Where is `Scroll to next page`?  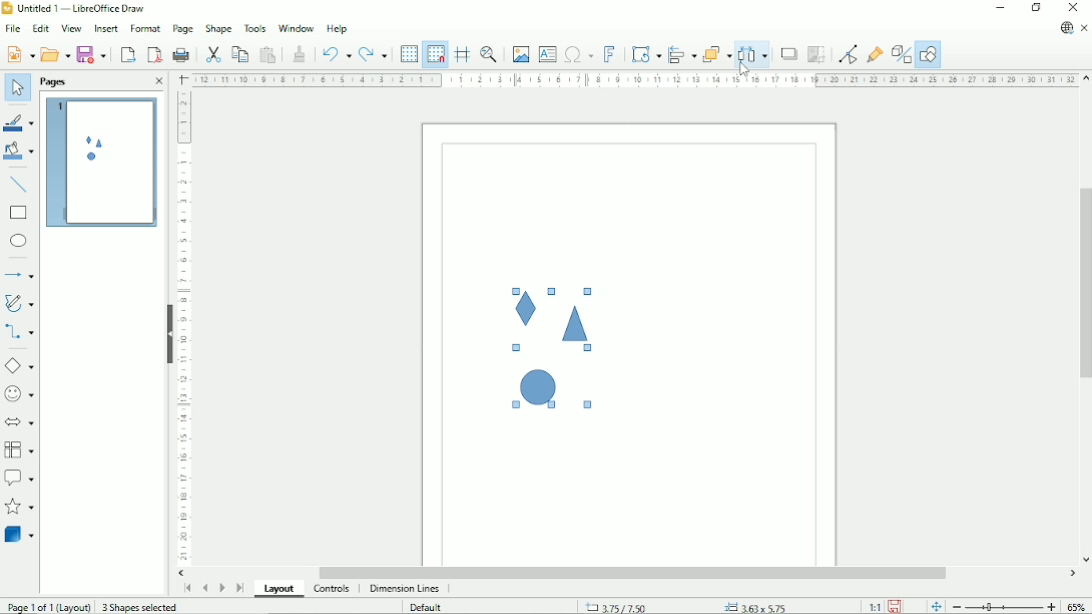
Scroll to next page is located at coordinates (221, 587).